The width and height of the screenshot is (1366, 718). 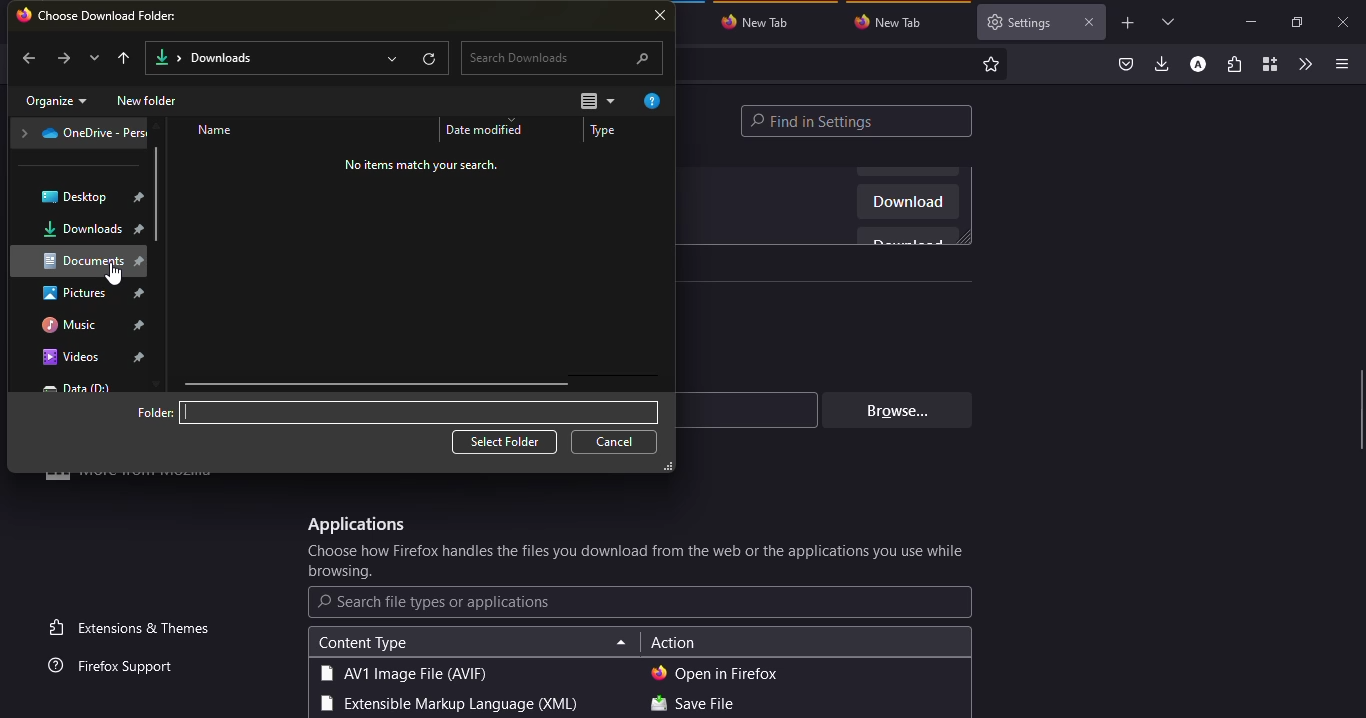 I want to click on pin, so click(x=141, y=231).